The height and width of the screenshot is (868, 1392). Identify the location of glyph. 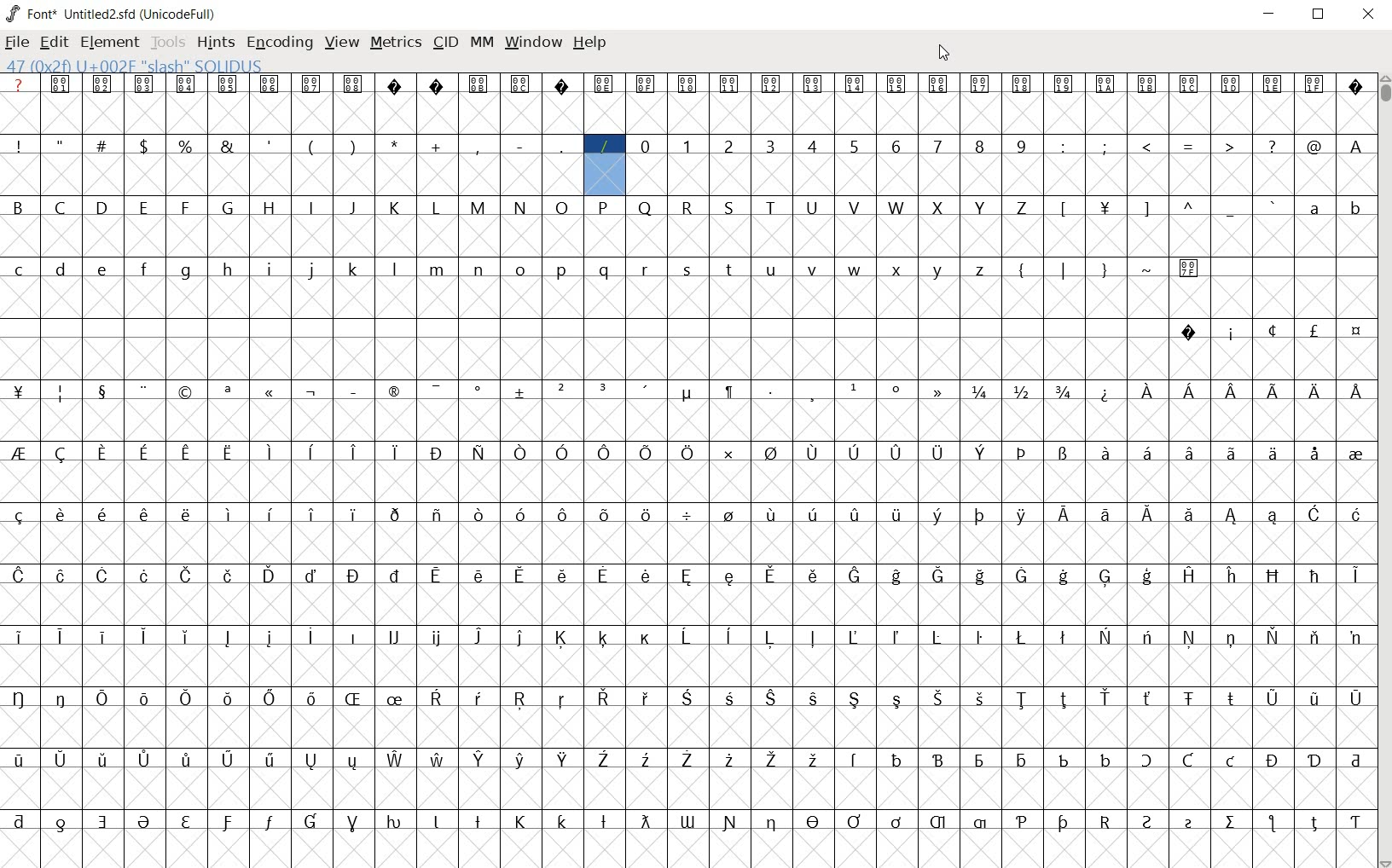
(519, 822).